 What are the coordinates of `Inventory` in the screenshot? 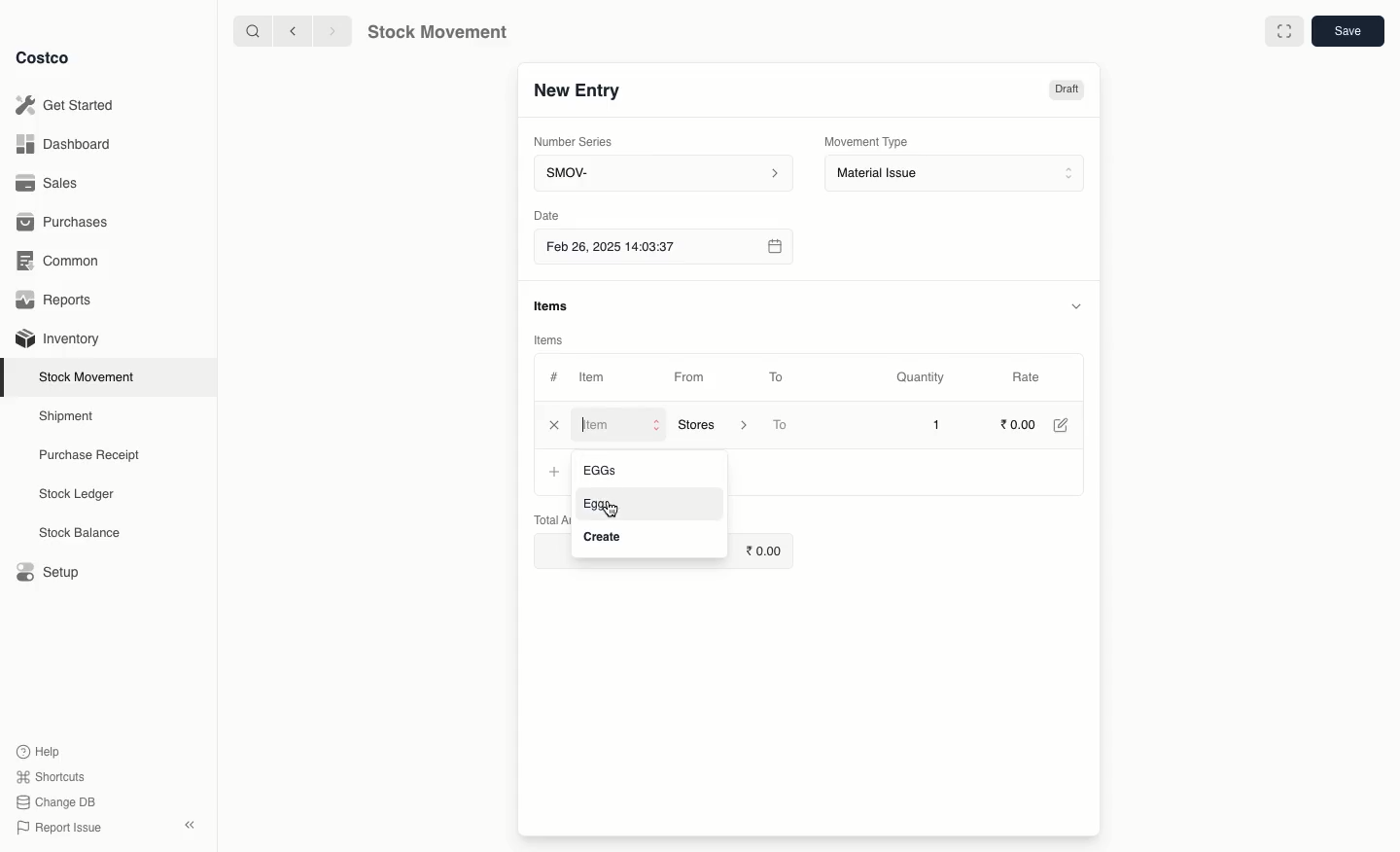 It's located at (60, 339).